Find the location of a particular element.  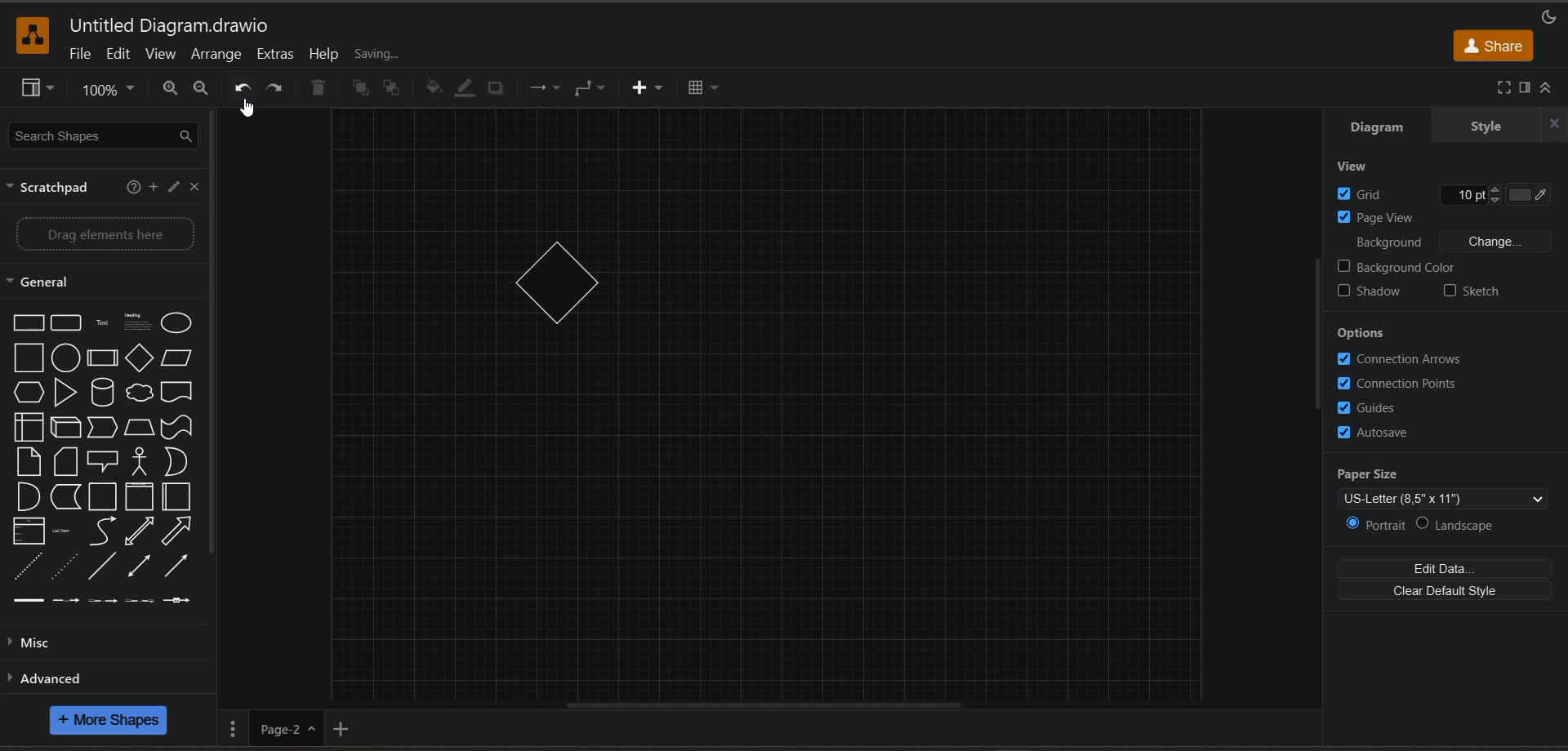

Link is located at coordinates (29, 600).